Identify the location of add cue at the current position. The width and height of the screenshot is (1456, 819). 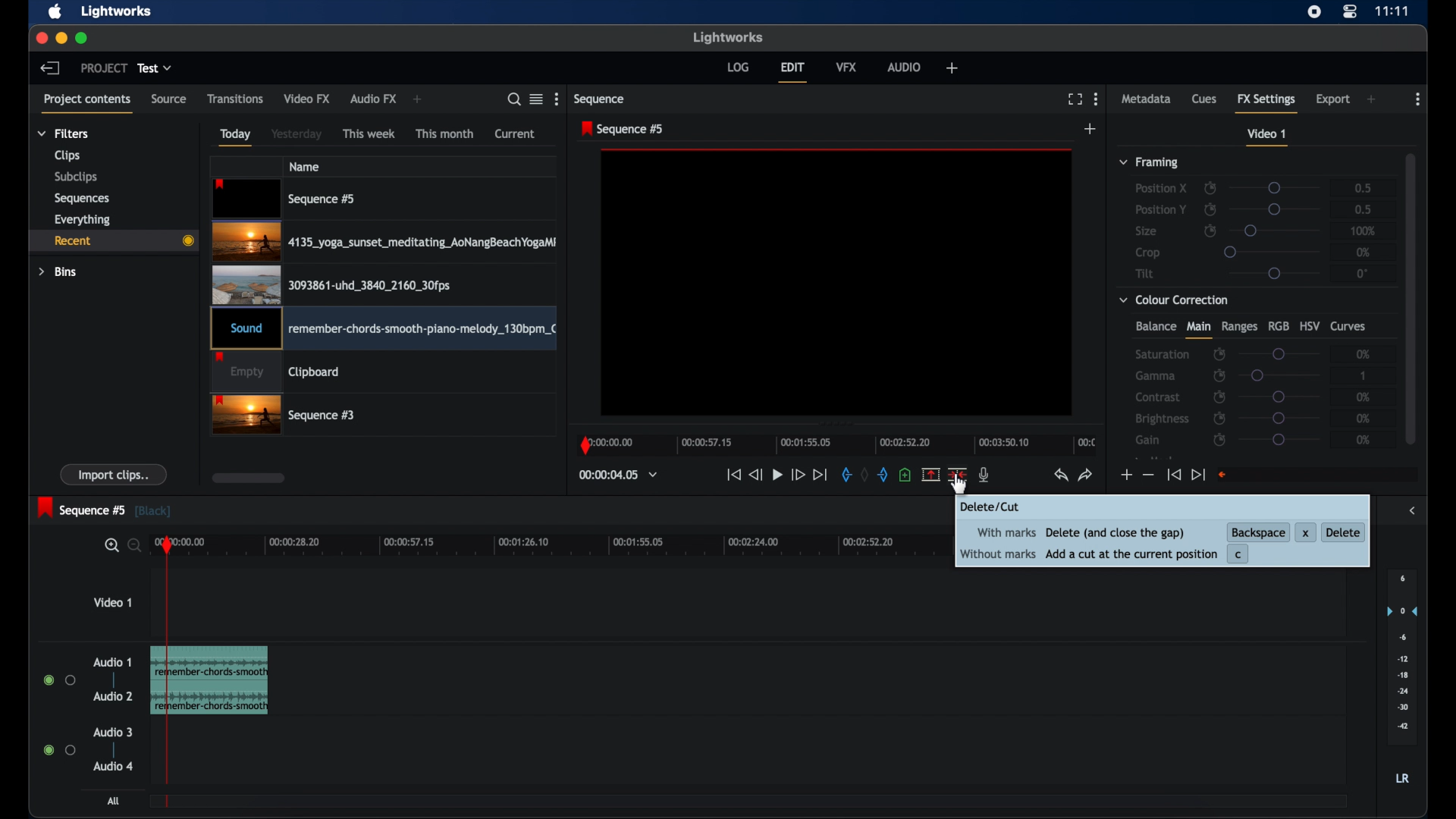
(905, 474).